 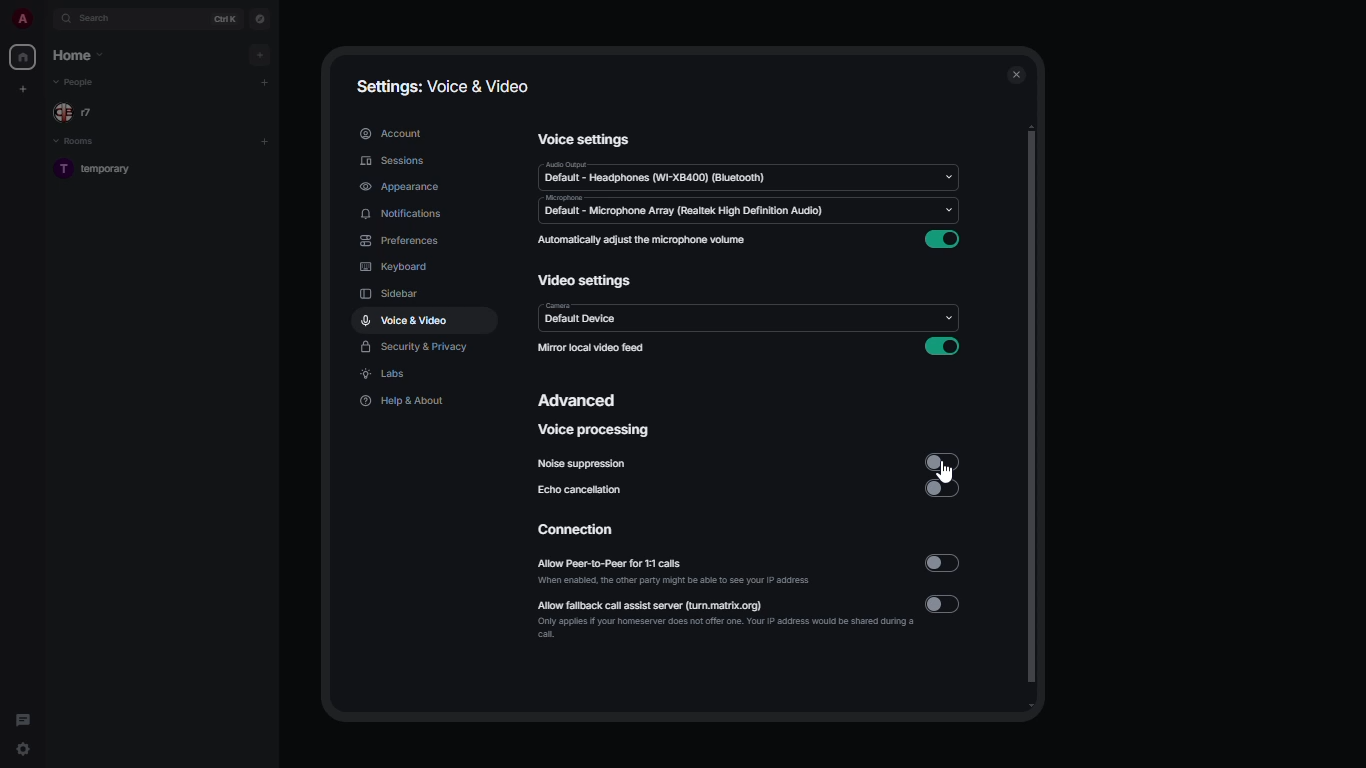 What do you see at coordinates (392, 161) in the screenshot?
I see `sessions` at bounding box center [392, 161].